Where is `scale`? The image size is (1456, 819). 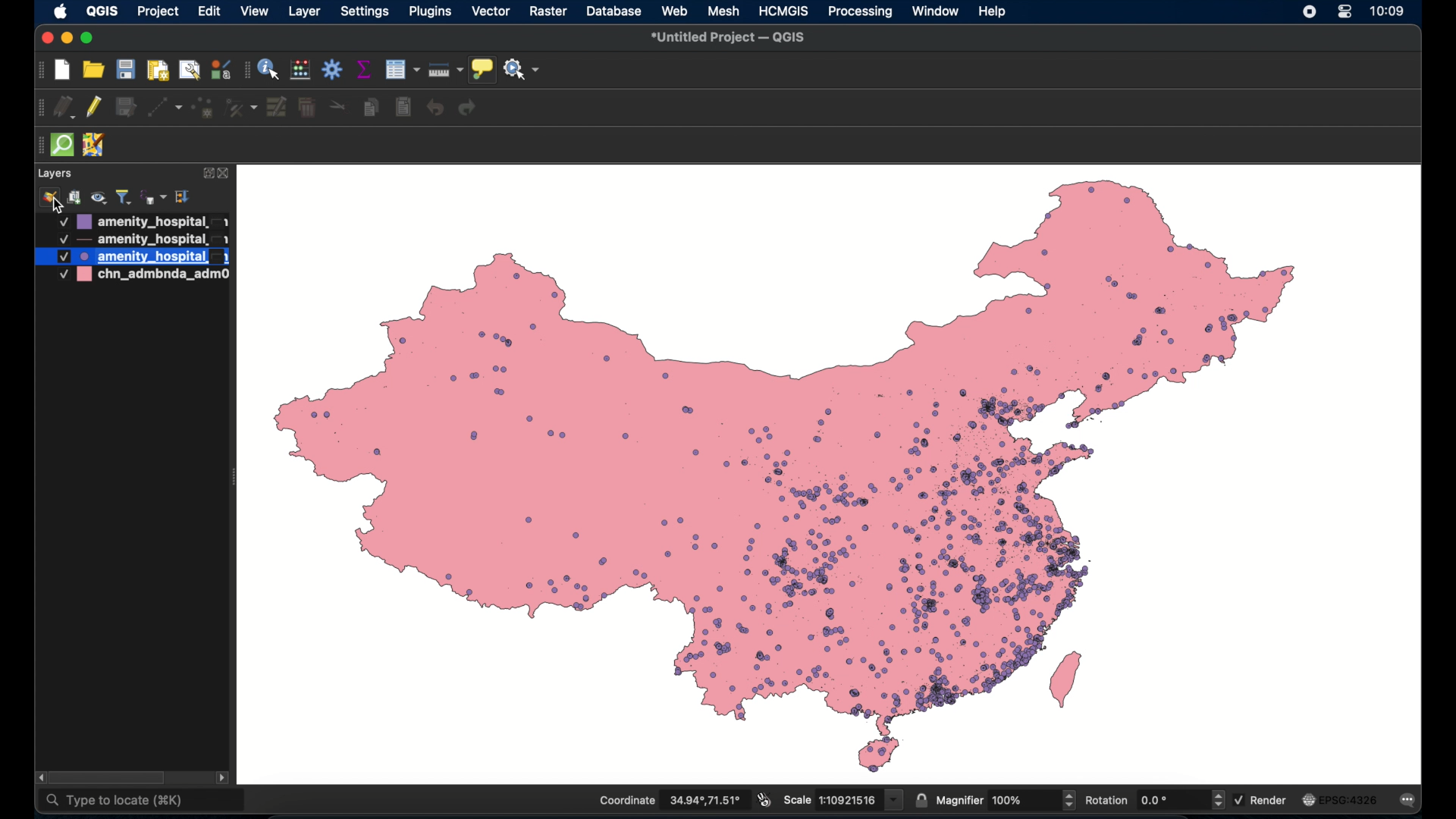 scale is located at coordinates (841, 801).